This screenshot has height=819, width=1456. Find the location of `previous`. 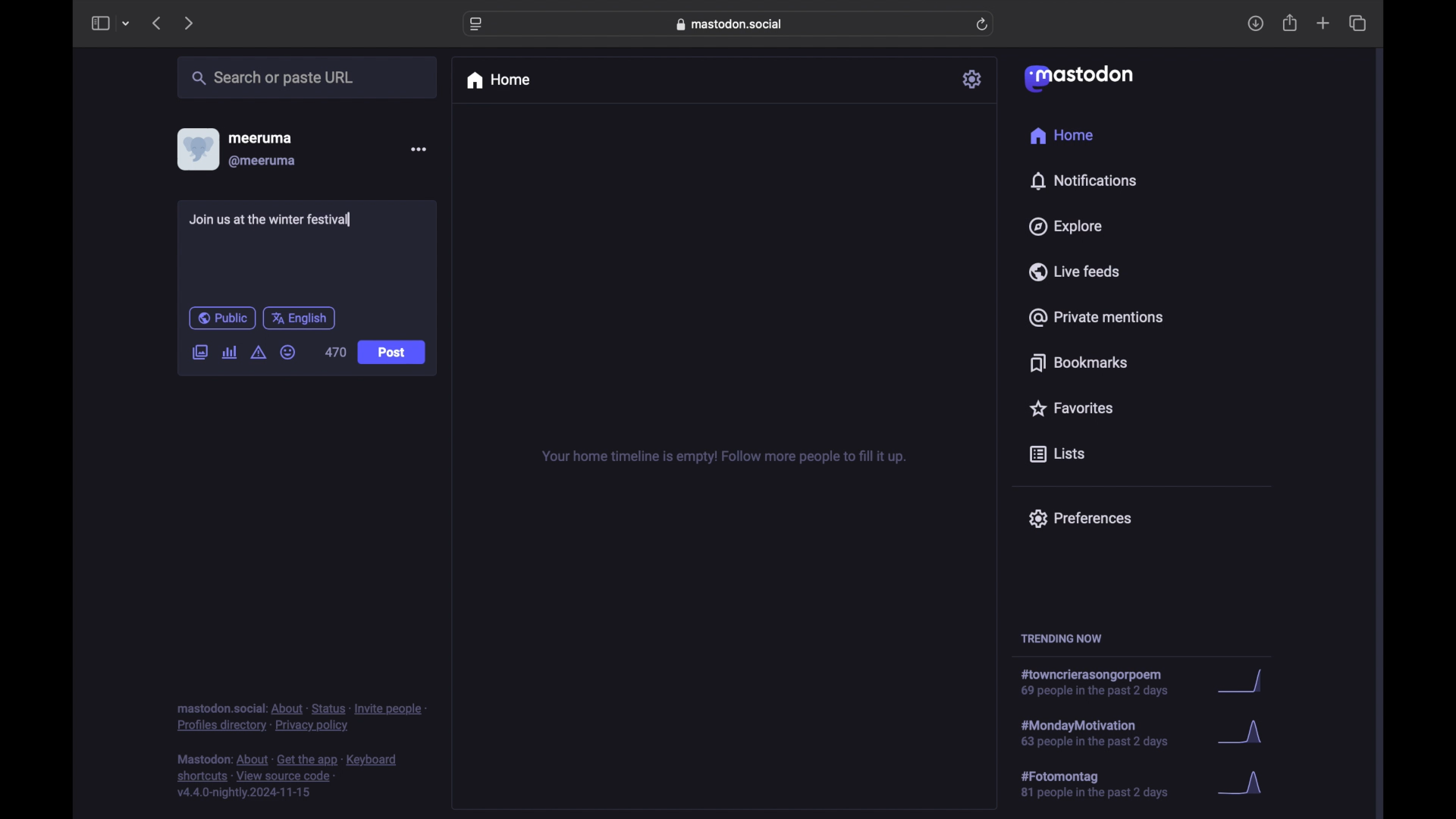

previous is located at coordinates (156, 23).